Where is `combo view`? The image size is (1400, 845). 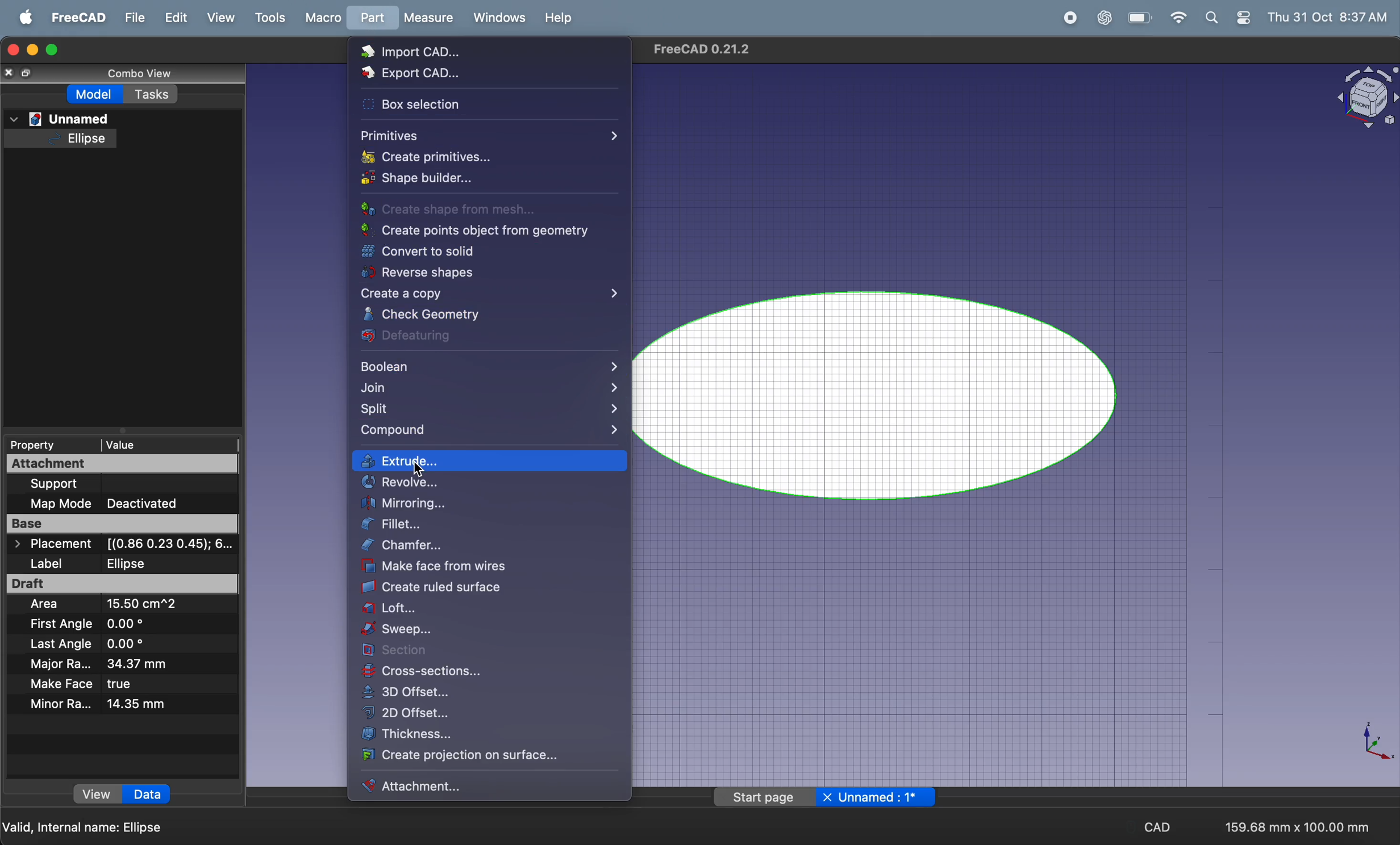
combo view is located at coordinates (152, 76).